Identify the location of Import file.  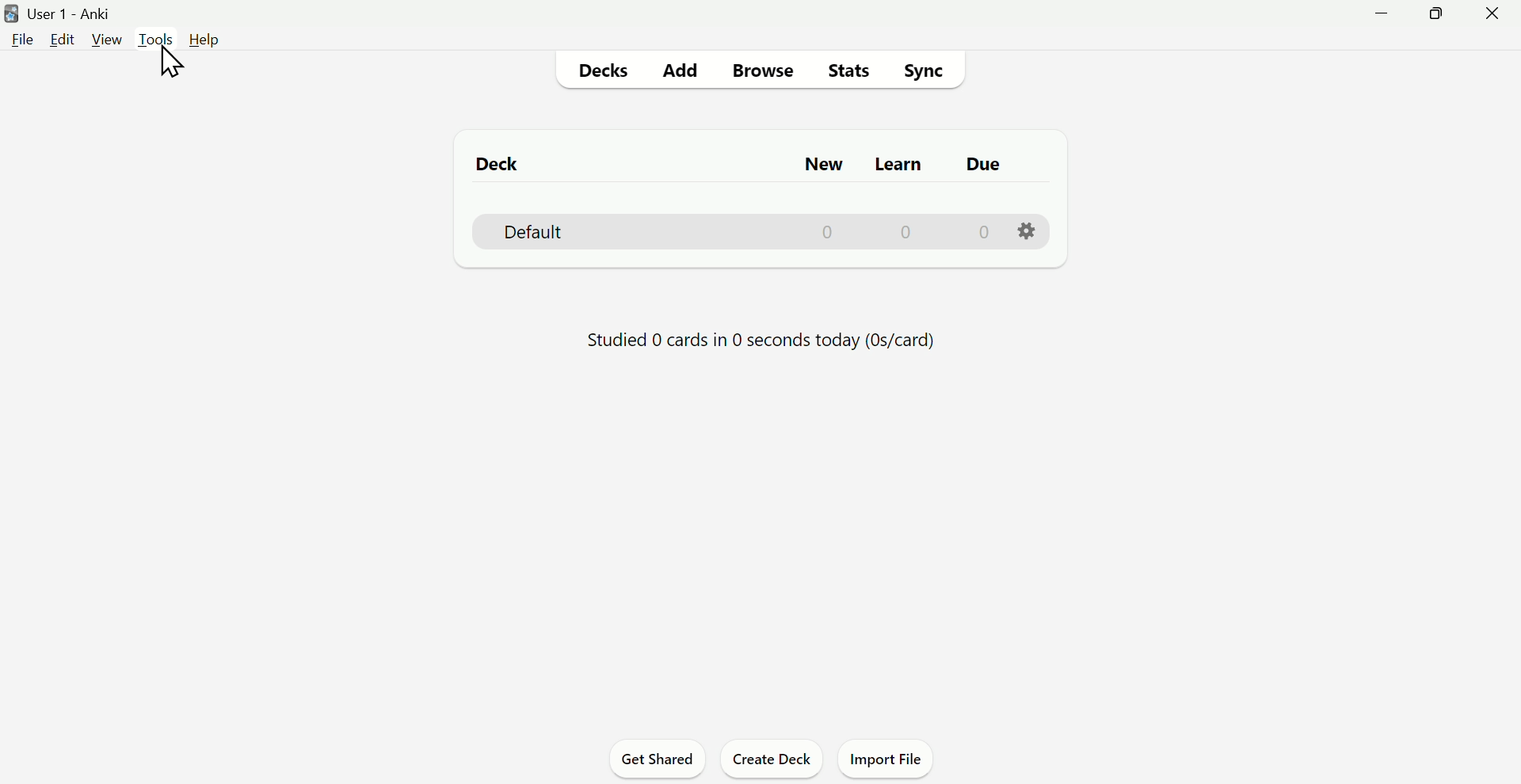
(885, 758).